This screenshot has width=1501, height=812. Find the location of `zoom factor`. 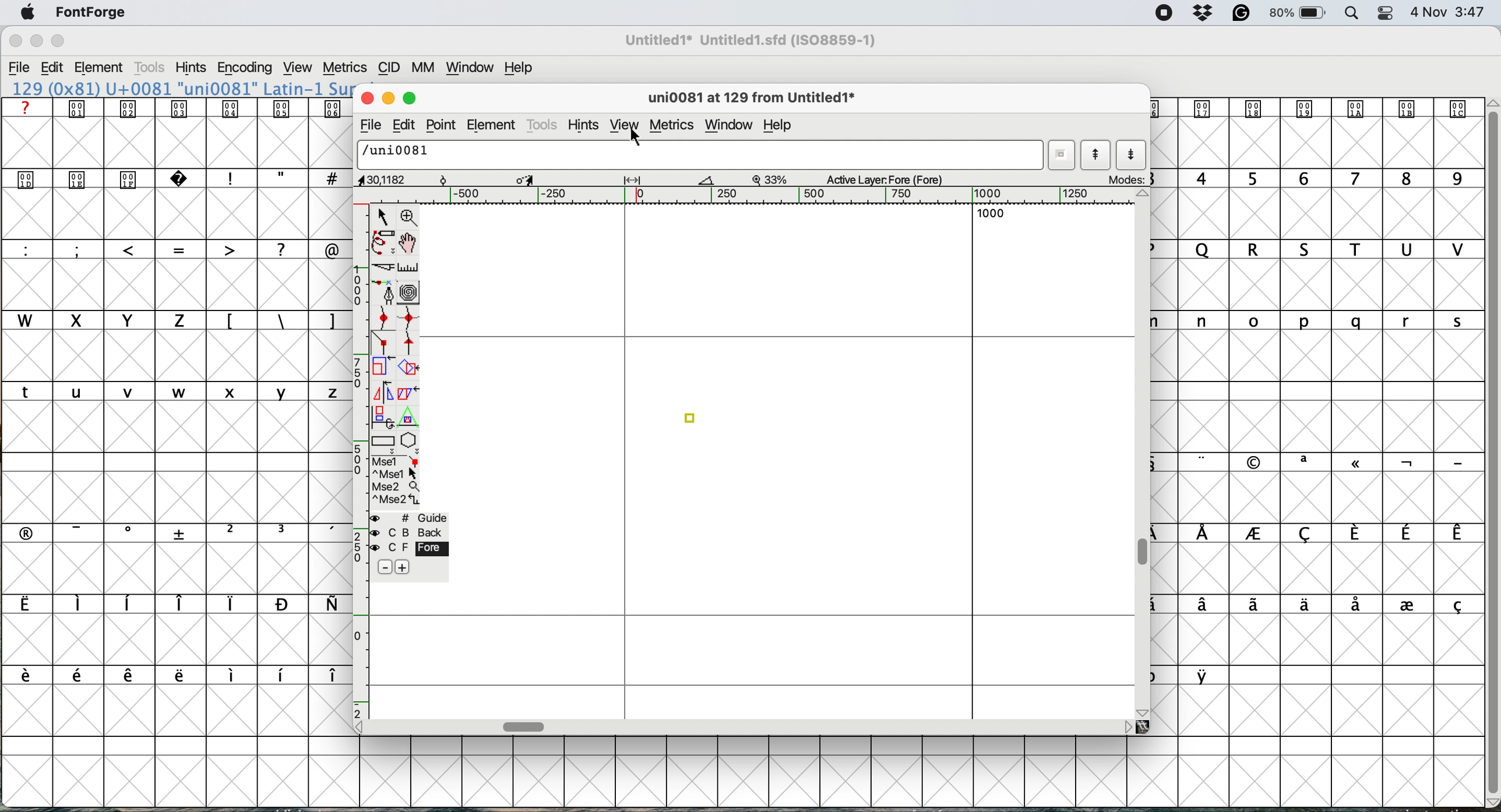

zoom factor is located at coordinates (771, 181).